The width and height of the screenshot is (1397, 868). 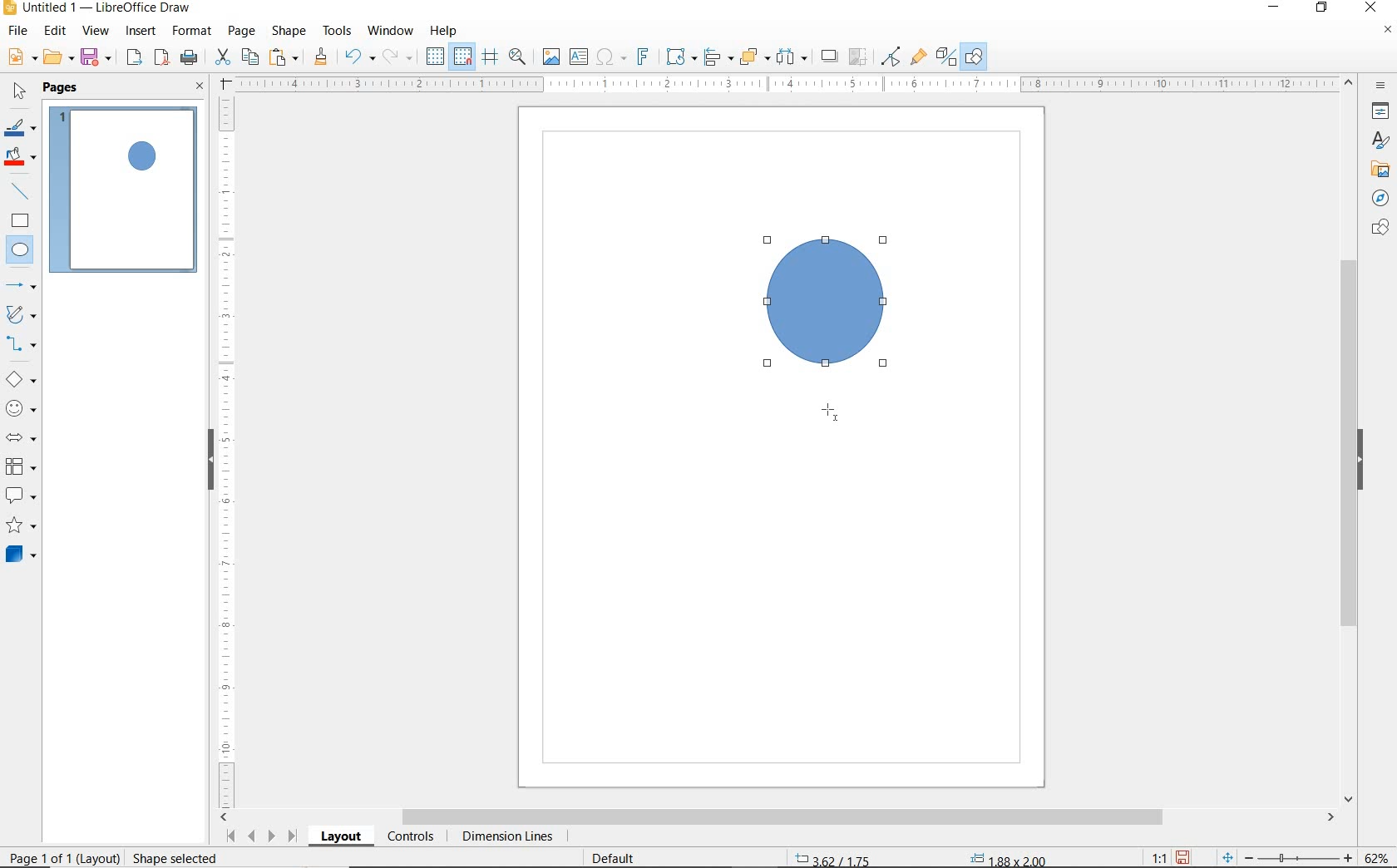 I want to click on CLONE FORMATTING, so click(x=320, y=57).